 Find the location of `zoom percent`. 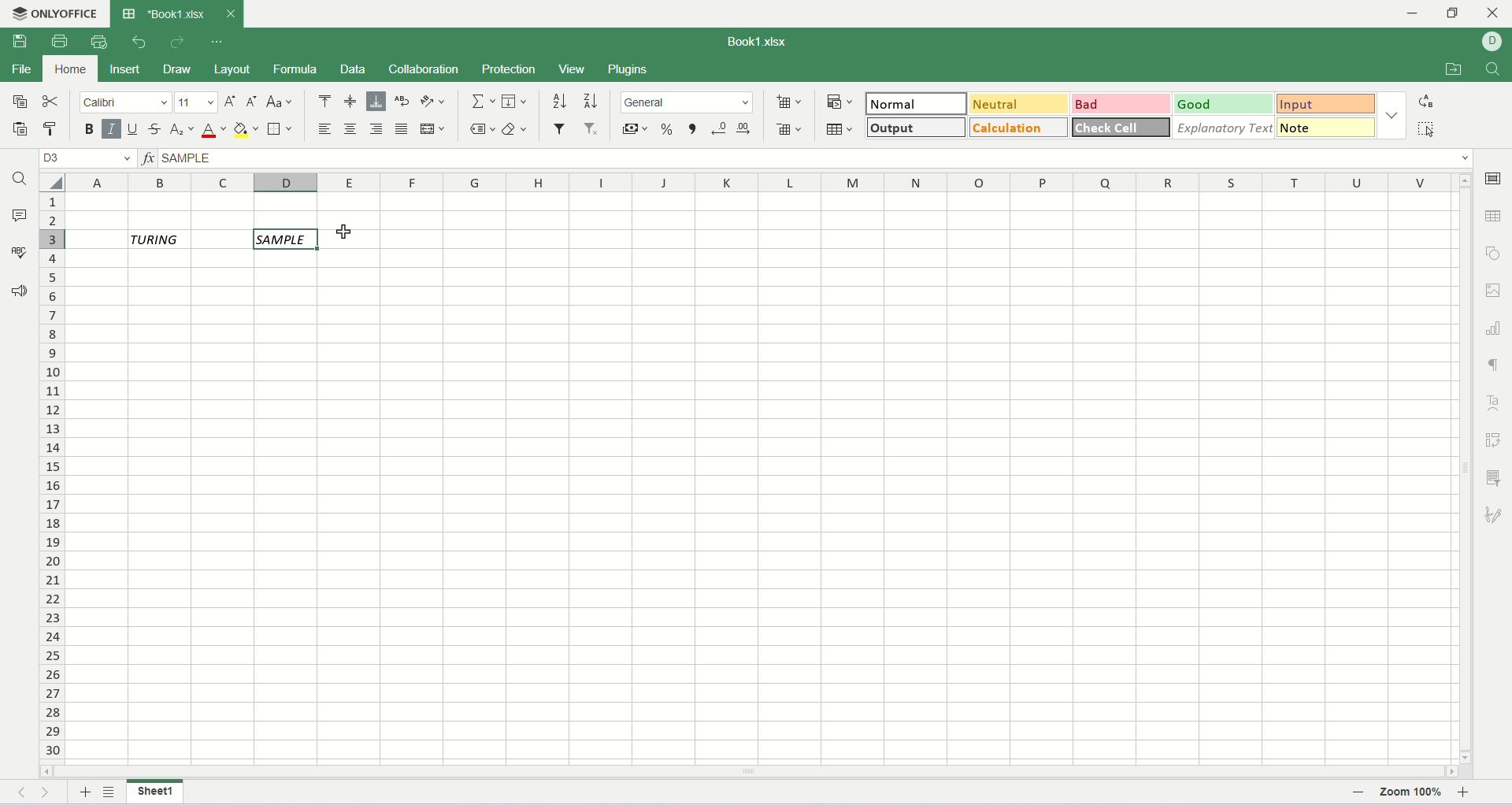

zoom percent is located at coordinates (1412, 795).